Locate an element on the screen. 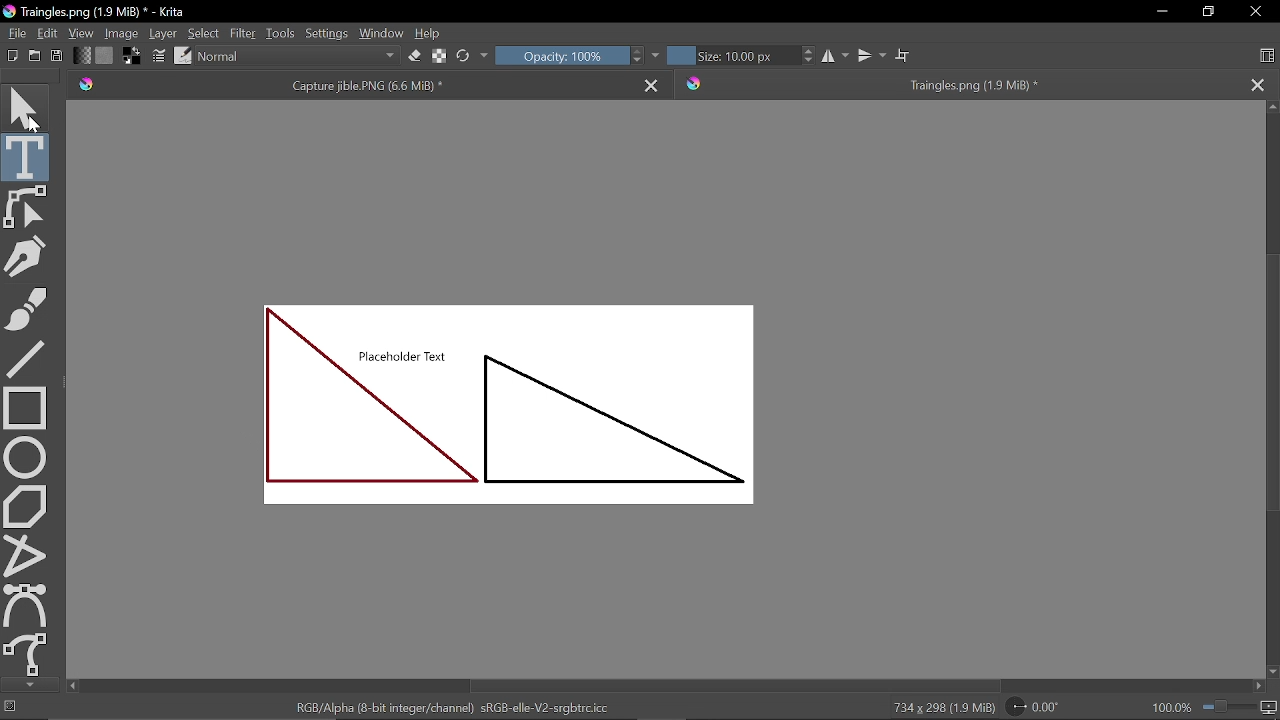  Move tool is located at coordinates (25, 104).